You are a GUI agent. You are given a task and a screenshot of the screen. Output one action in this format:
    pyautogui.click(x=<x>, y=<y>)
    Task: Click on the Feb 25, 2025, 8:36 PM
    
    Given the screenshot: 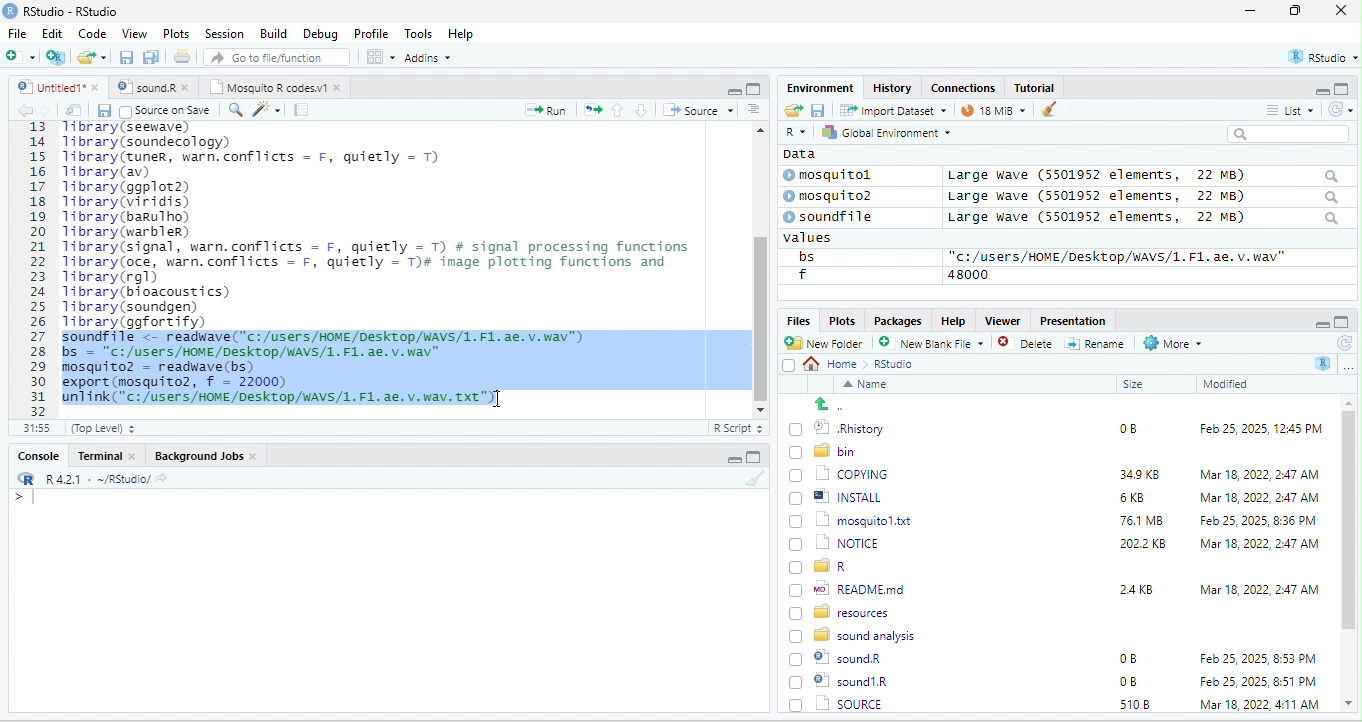 What is the action you would take?
    pyautogui.click(x=1254, y=520)
    